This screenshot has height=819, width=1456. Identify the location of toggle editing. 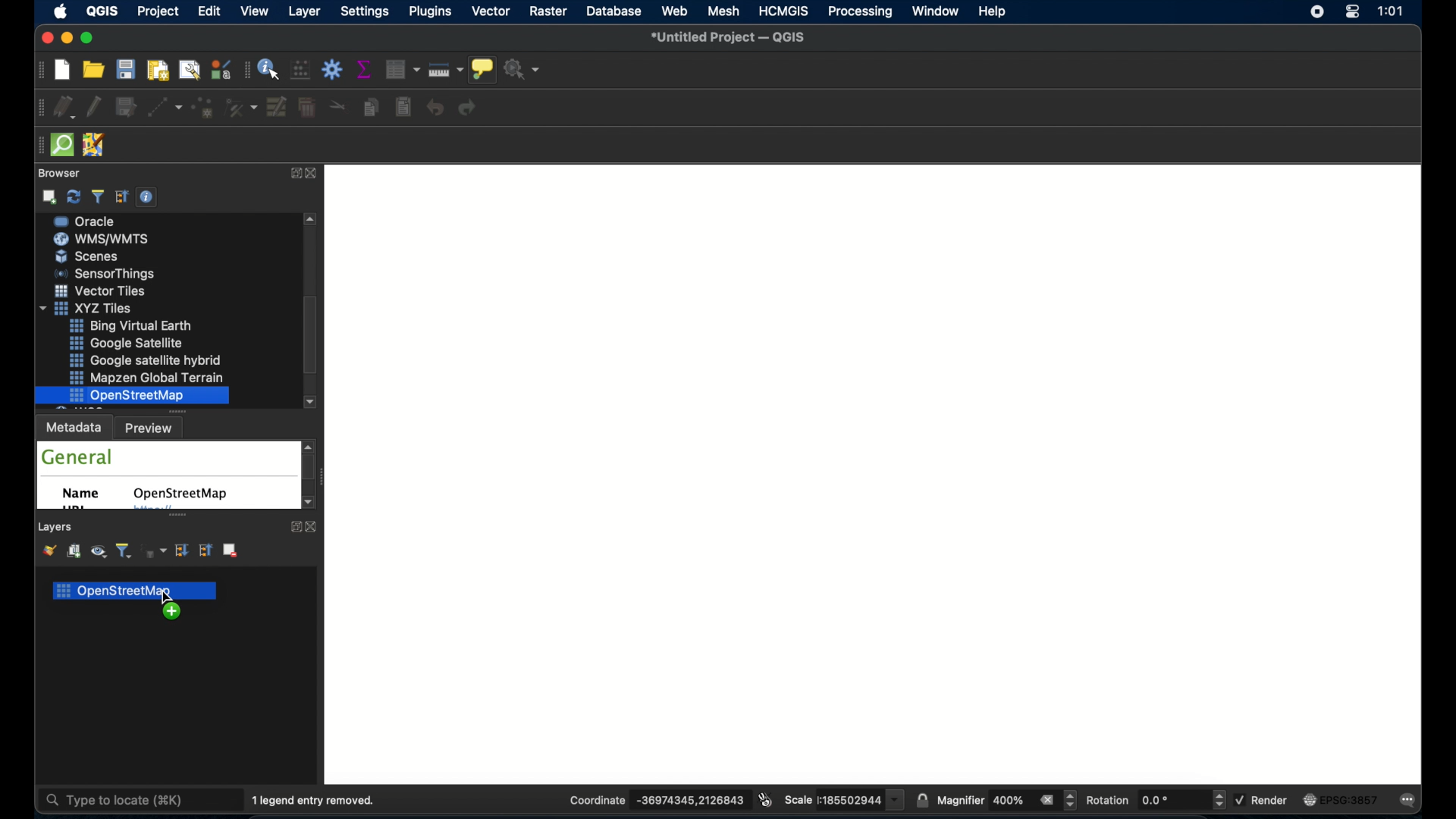
(96, 108).